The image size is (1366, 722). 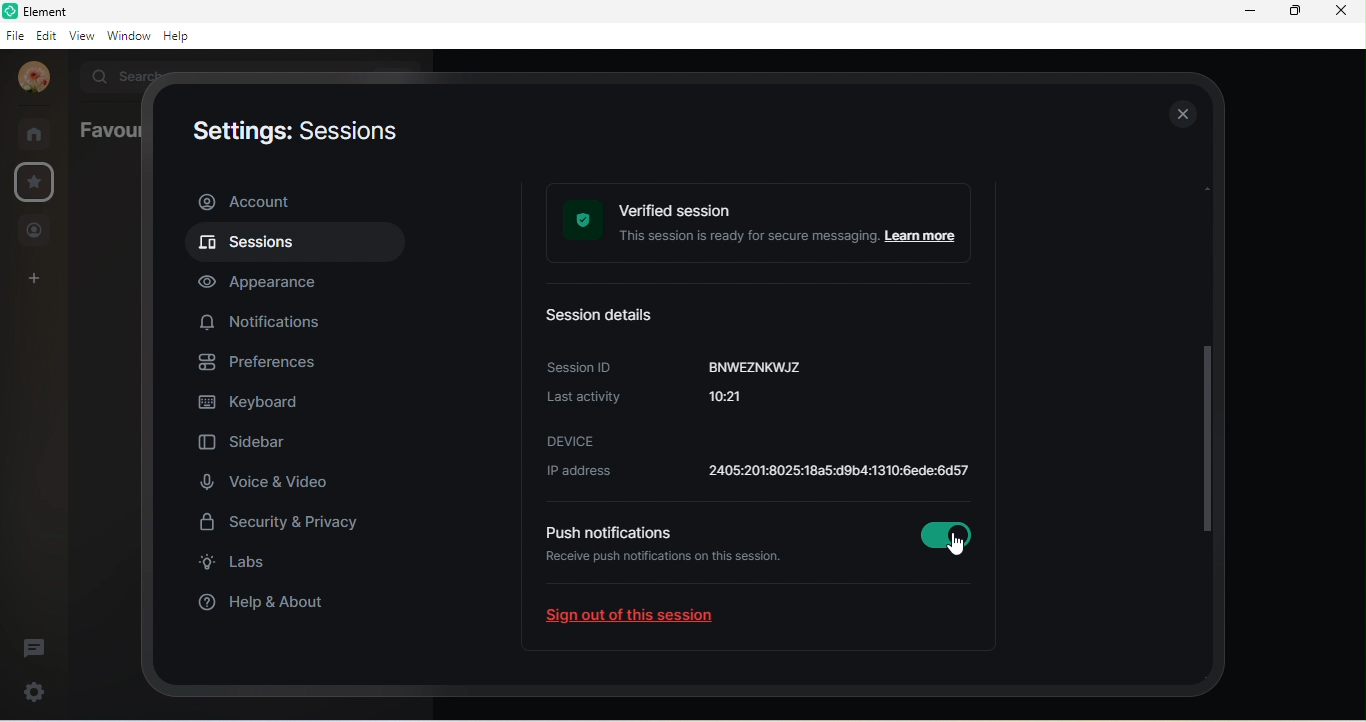 I want to click on close, so click(x=1181, y=113).